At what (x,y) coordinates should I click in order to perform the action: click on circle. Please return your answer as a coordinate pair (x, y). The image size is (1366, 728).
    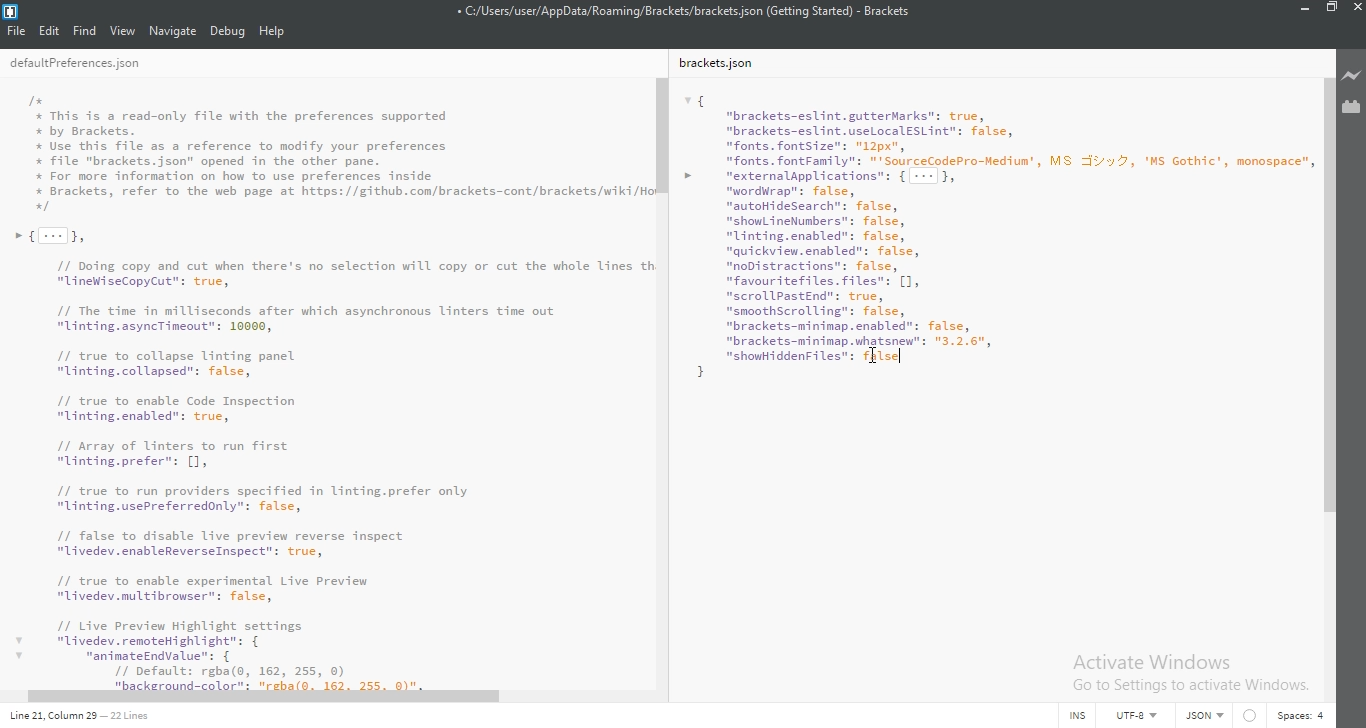
    Looking at the image, I should click on (1253, 714).